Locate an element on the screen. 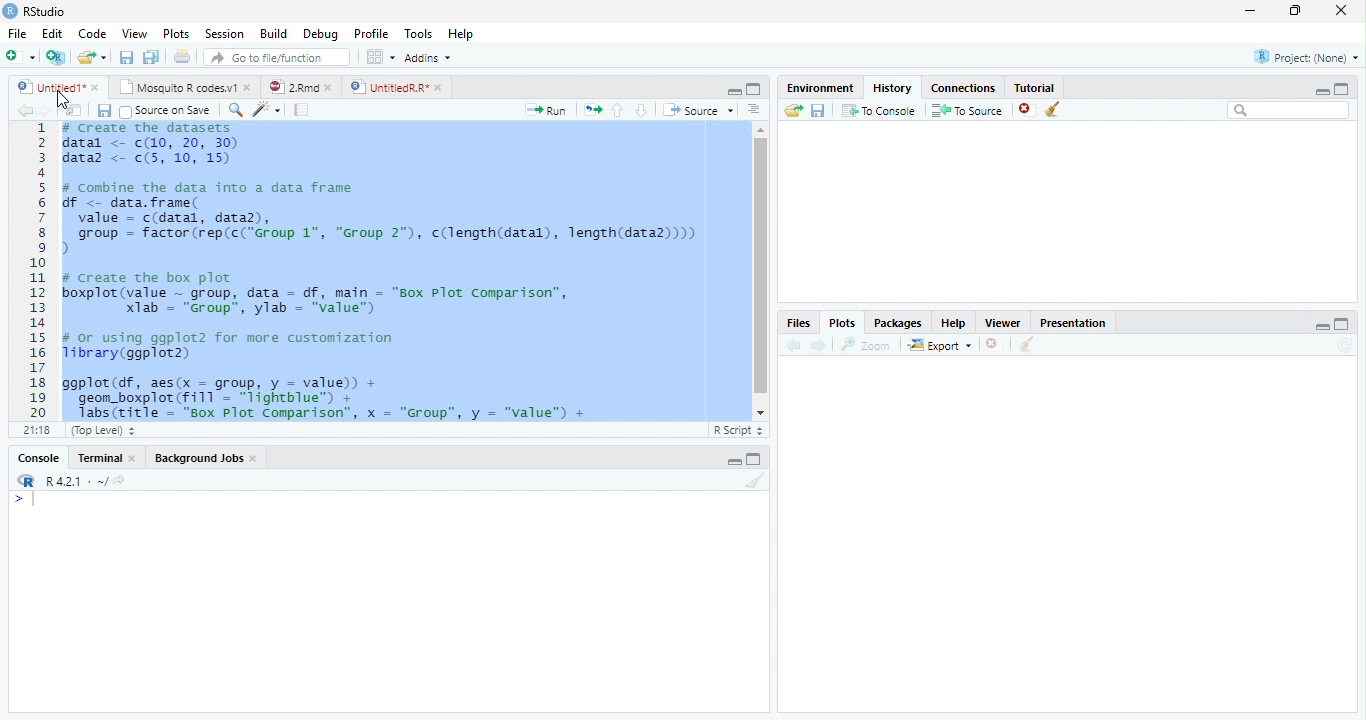 The width and height of the screenshot is (1366, 720). (Top Level) is located at coordinates (101, 431).